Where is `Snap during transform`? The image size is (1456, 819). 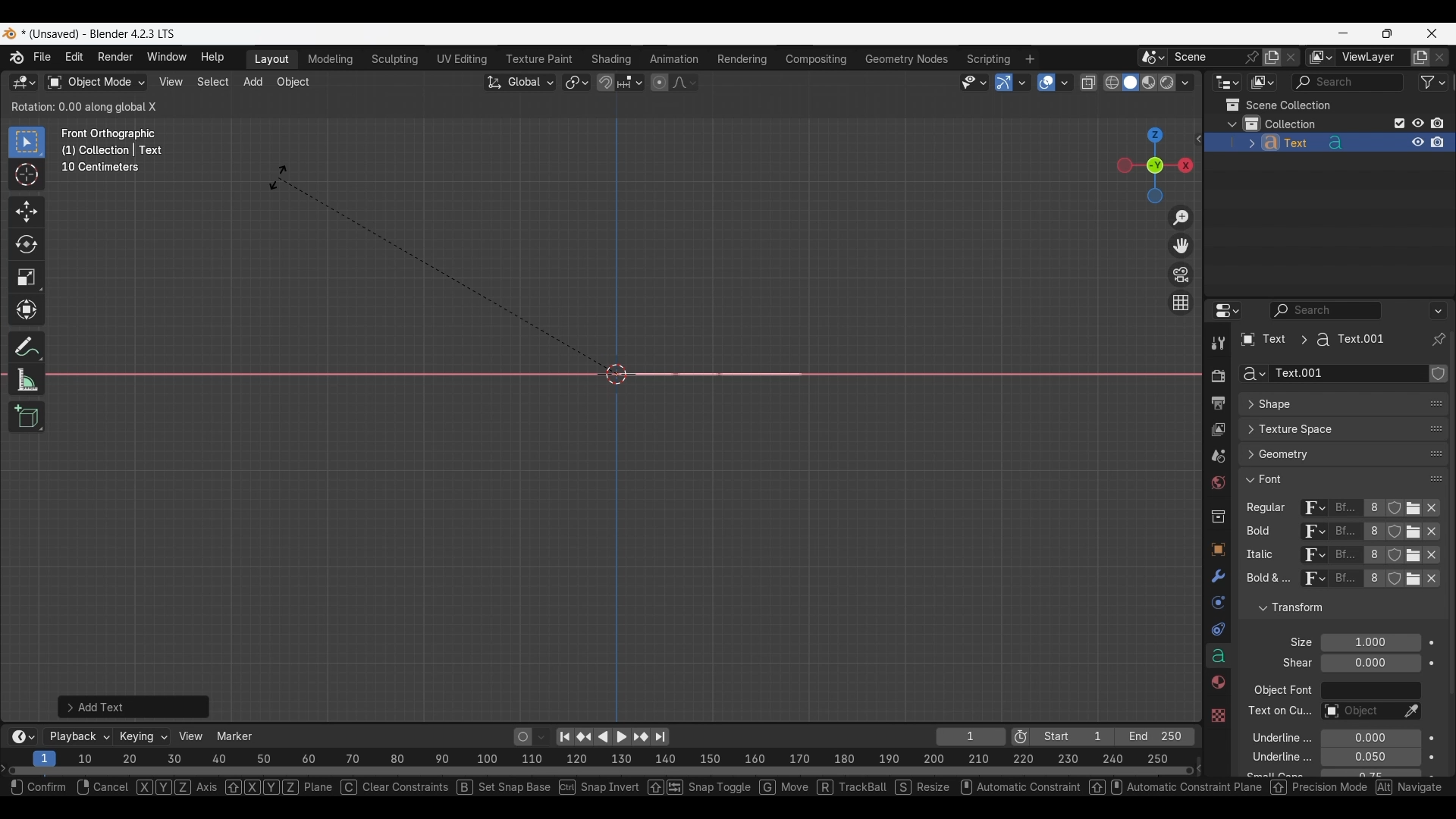 Snap during transform is located at coordinates (606, 82).